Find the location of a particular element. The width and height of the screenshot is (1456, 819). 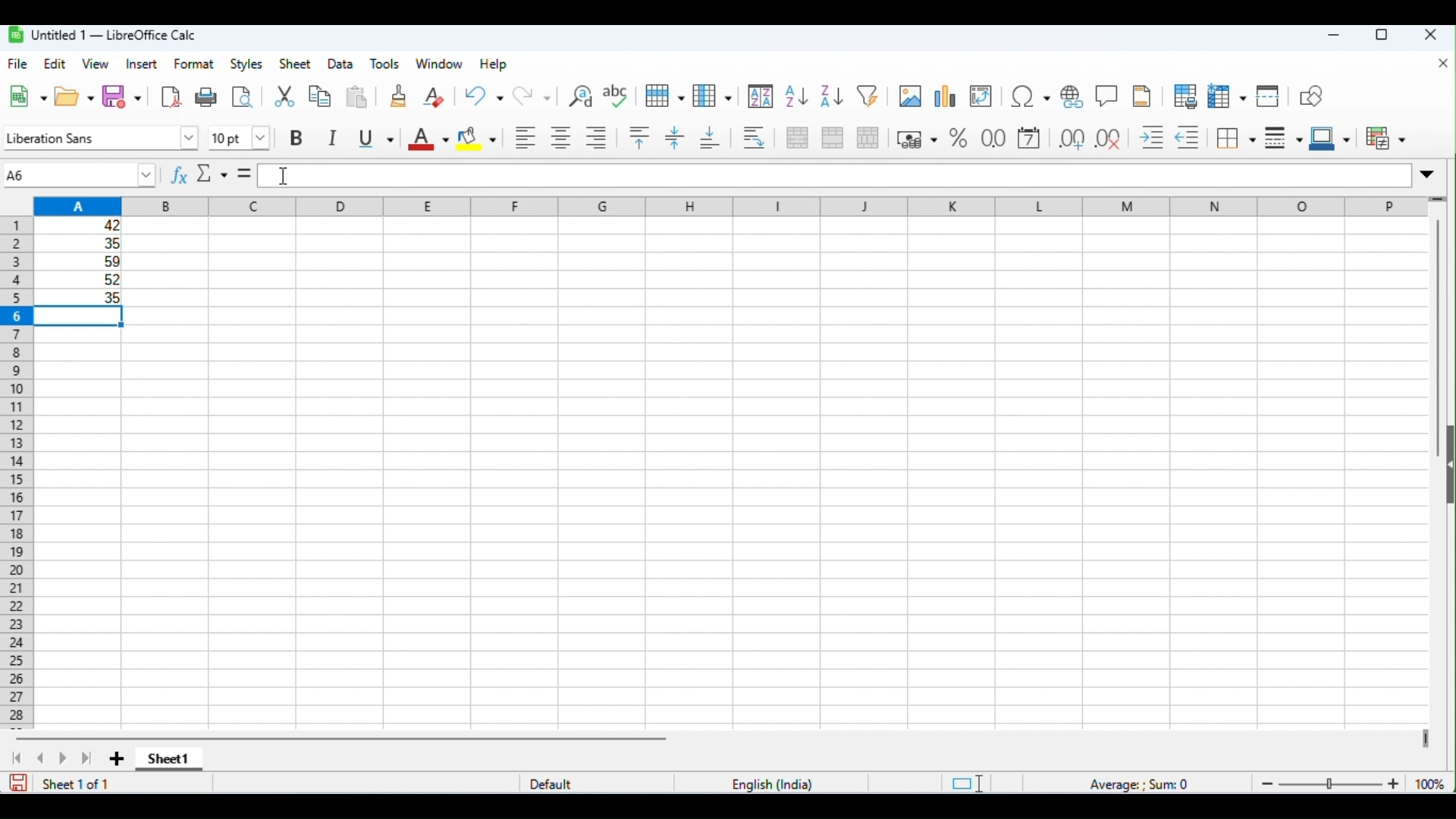

last sheet is located at coordinates (88, 760).